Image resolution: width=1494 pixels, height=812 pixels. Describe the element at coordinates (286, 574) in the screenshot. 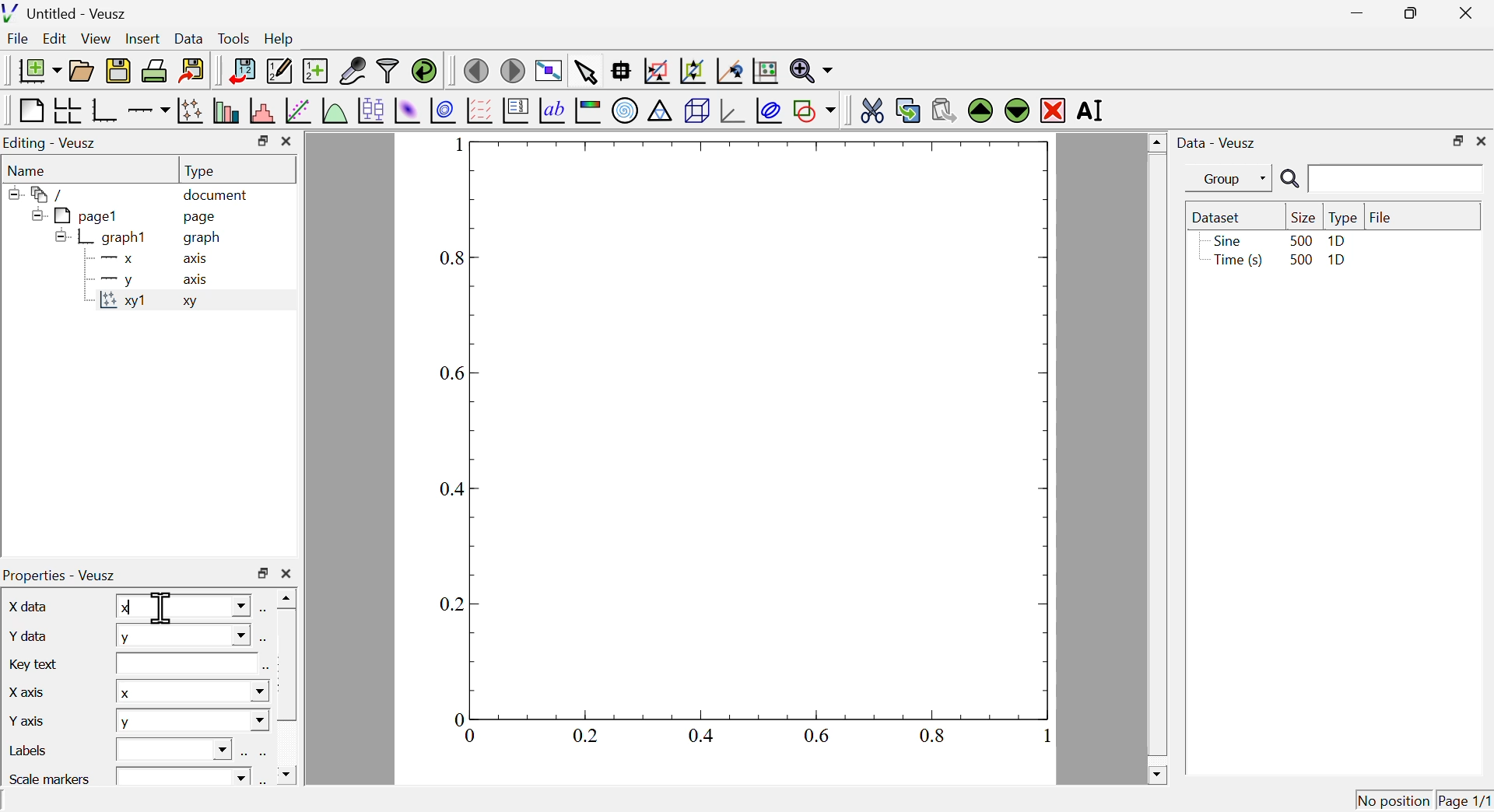

I see `close` at that location.